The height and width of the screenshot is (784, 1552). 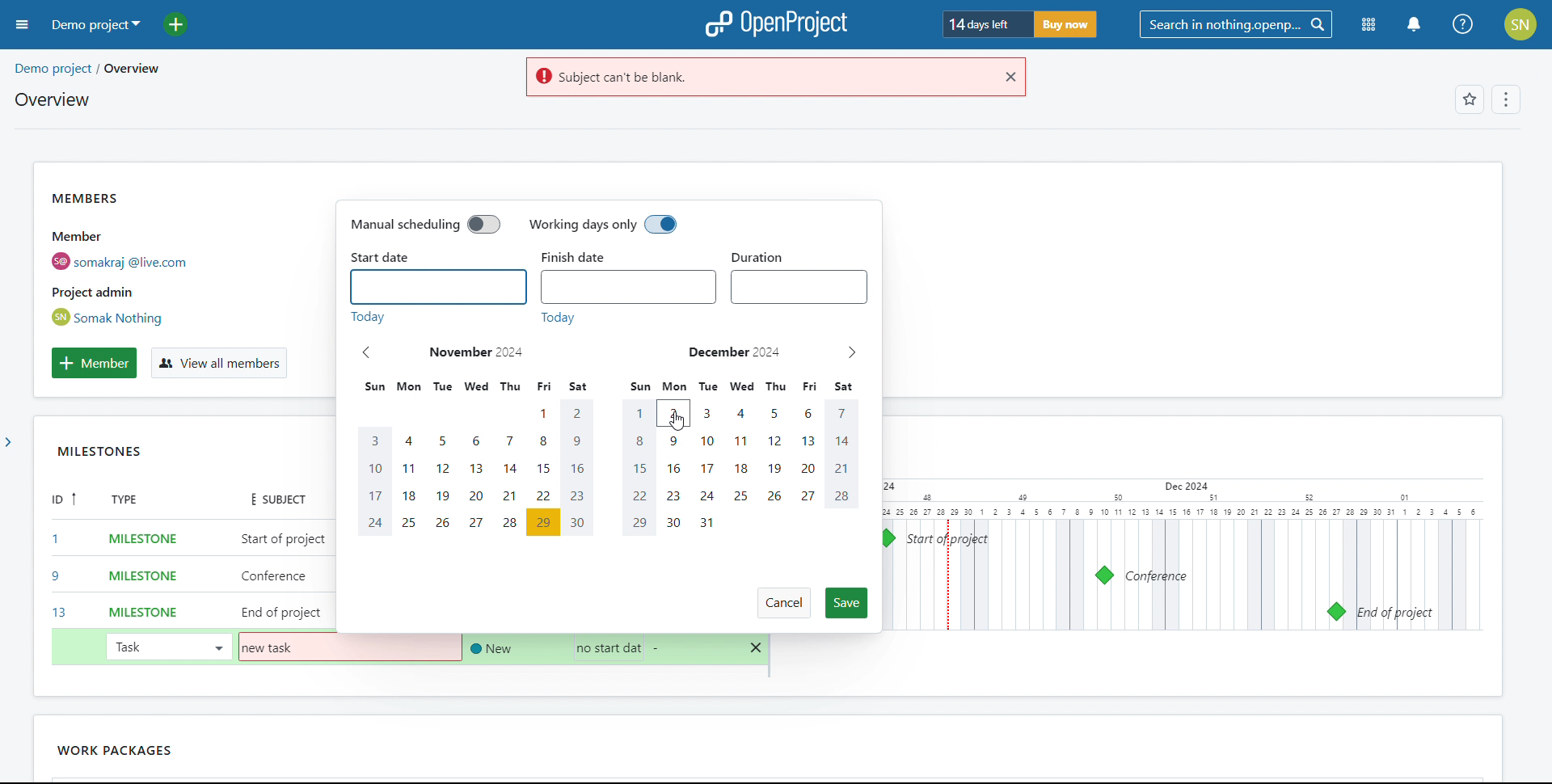 I want to click on buy now, so click(x=1064, y=24).